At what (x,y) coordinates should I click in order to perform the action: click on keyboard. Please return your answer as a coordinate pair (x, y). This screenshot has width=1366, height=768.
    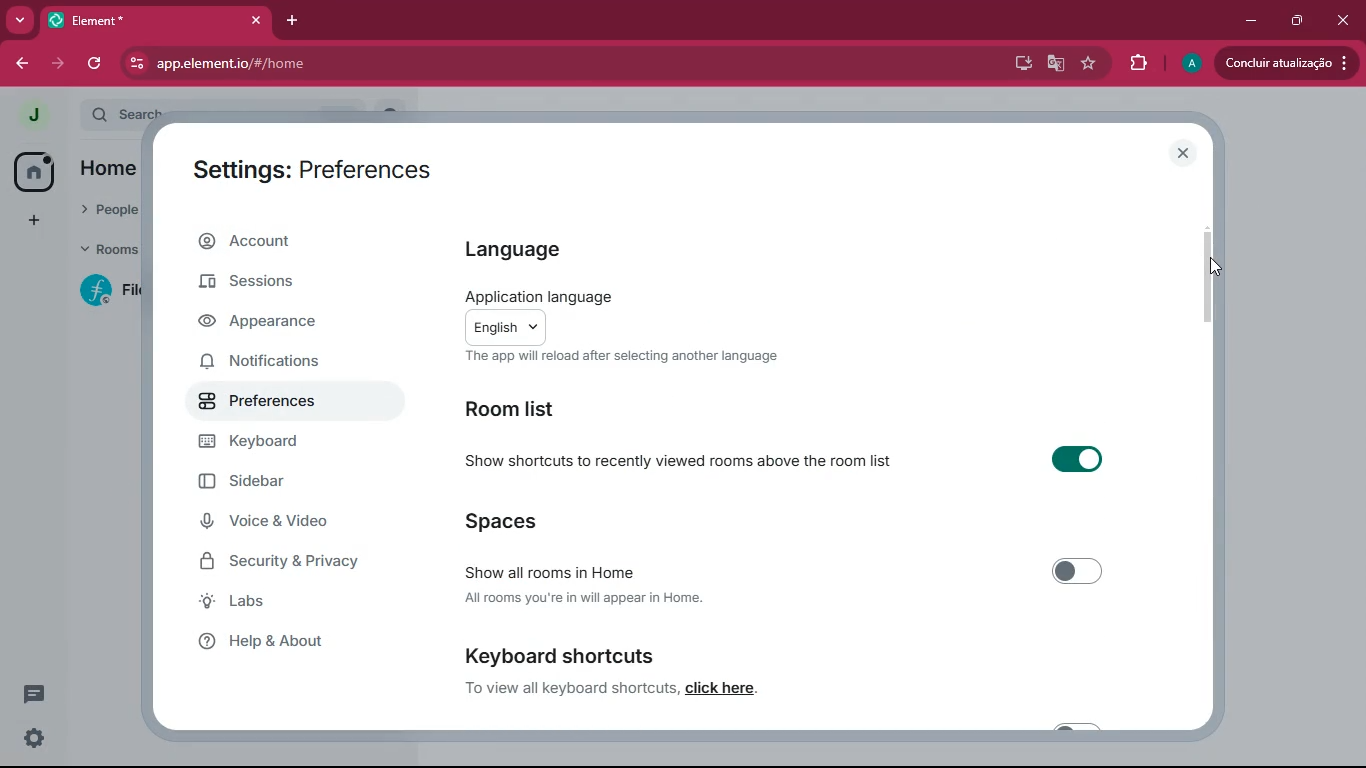
    Looking at the image, I should click on (262, 443).